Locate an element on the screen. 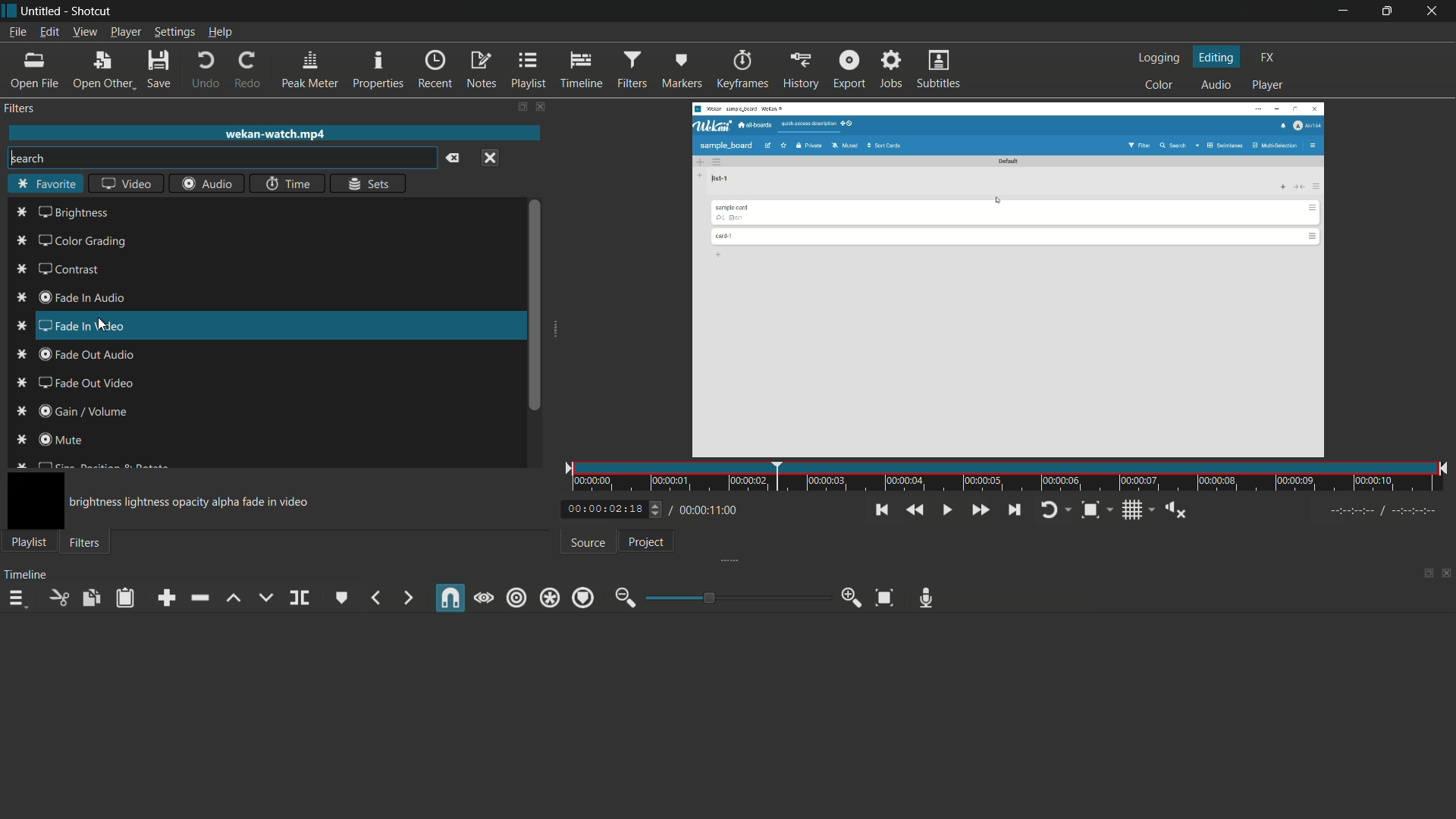 The width and height of the screenshot is (1456, 819). lift is located at coordinates (234, 598).